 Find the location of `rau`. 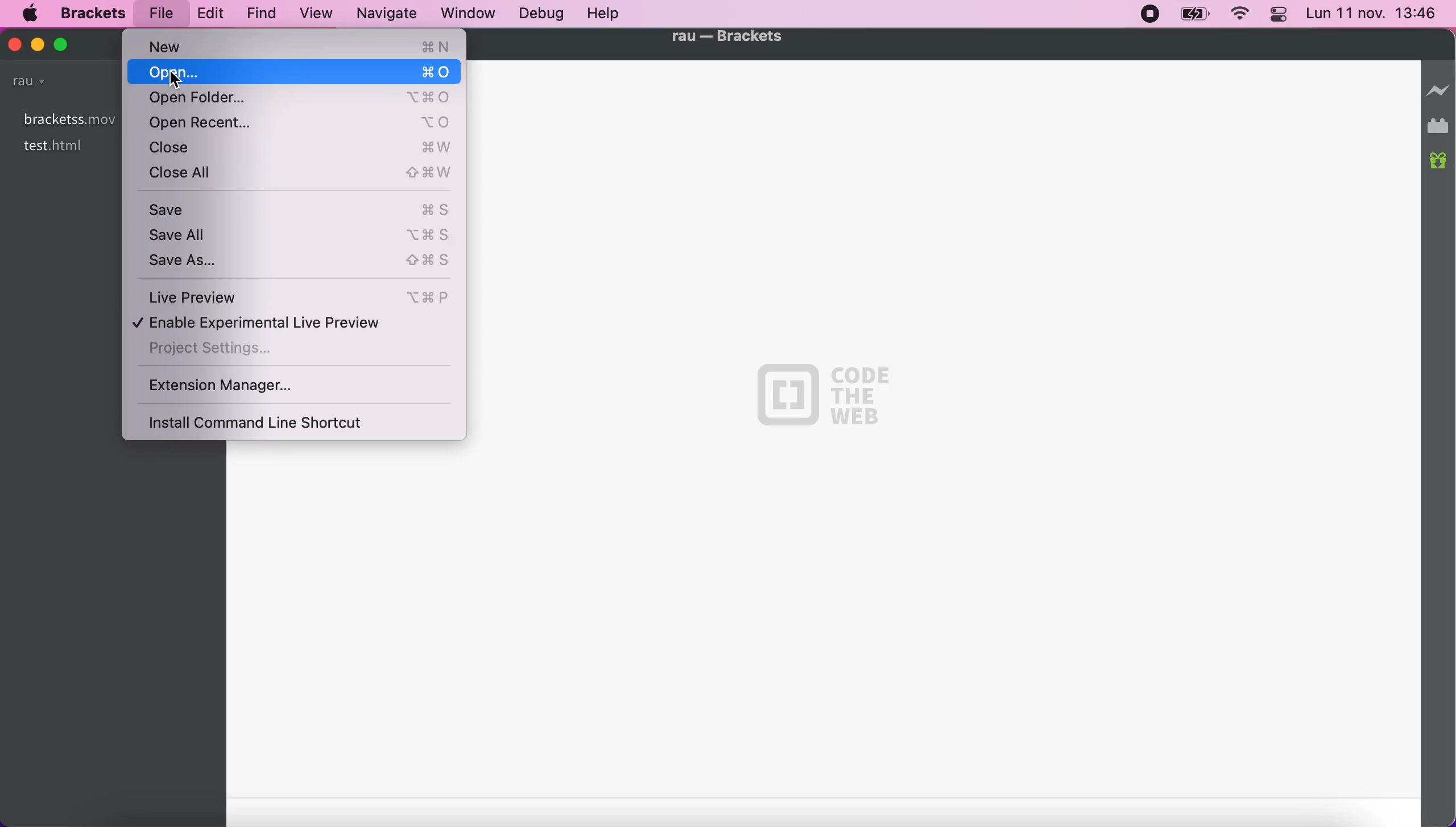

rau is located at coordinates (31, 82).